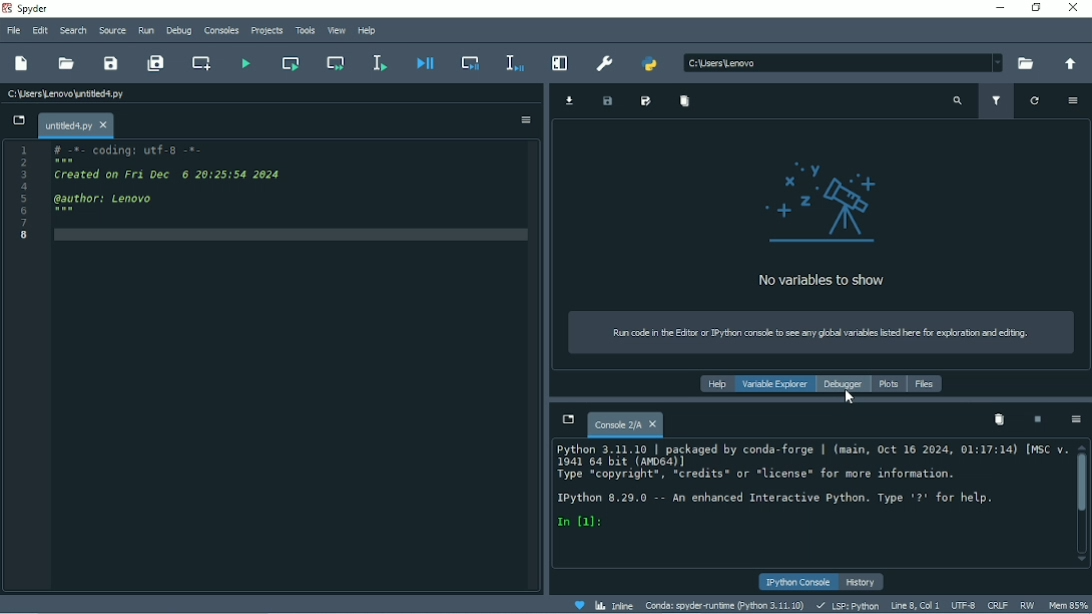 The width and height of the screenshot is (1092, 614). I want to click on Run current cell, so click(290, 63).